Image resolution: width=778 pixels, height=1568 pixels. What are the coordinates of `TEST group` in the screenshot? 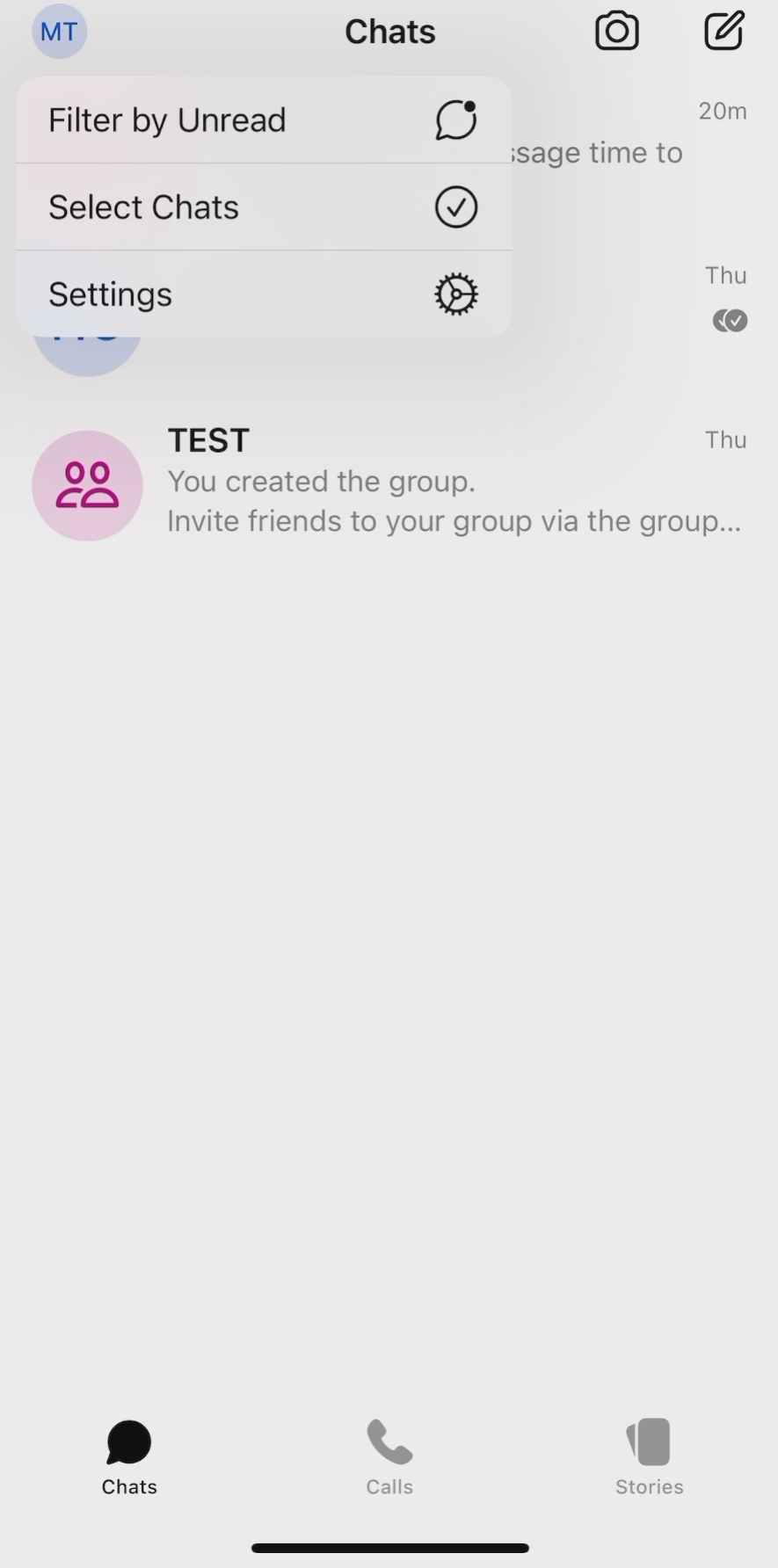 It's located at (392, 489).